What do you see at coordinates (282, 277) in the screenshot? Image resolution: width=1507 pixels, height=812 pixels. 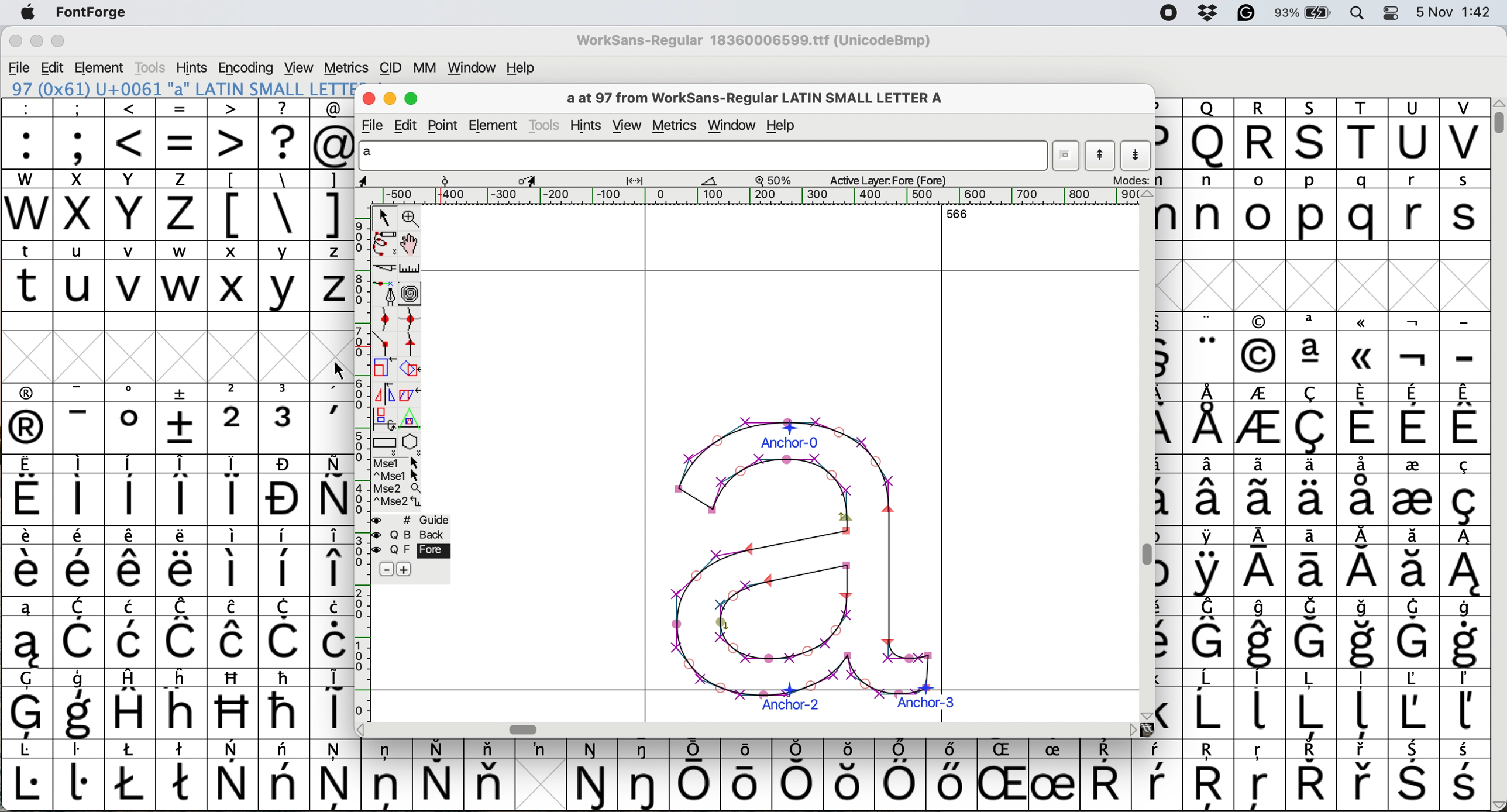 I see `y` at bounding box center [282, 277].